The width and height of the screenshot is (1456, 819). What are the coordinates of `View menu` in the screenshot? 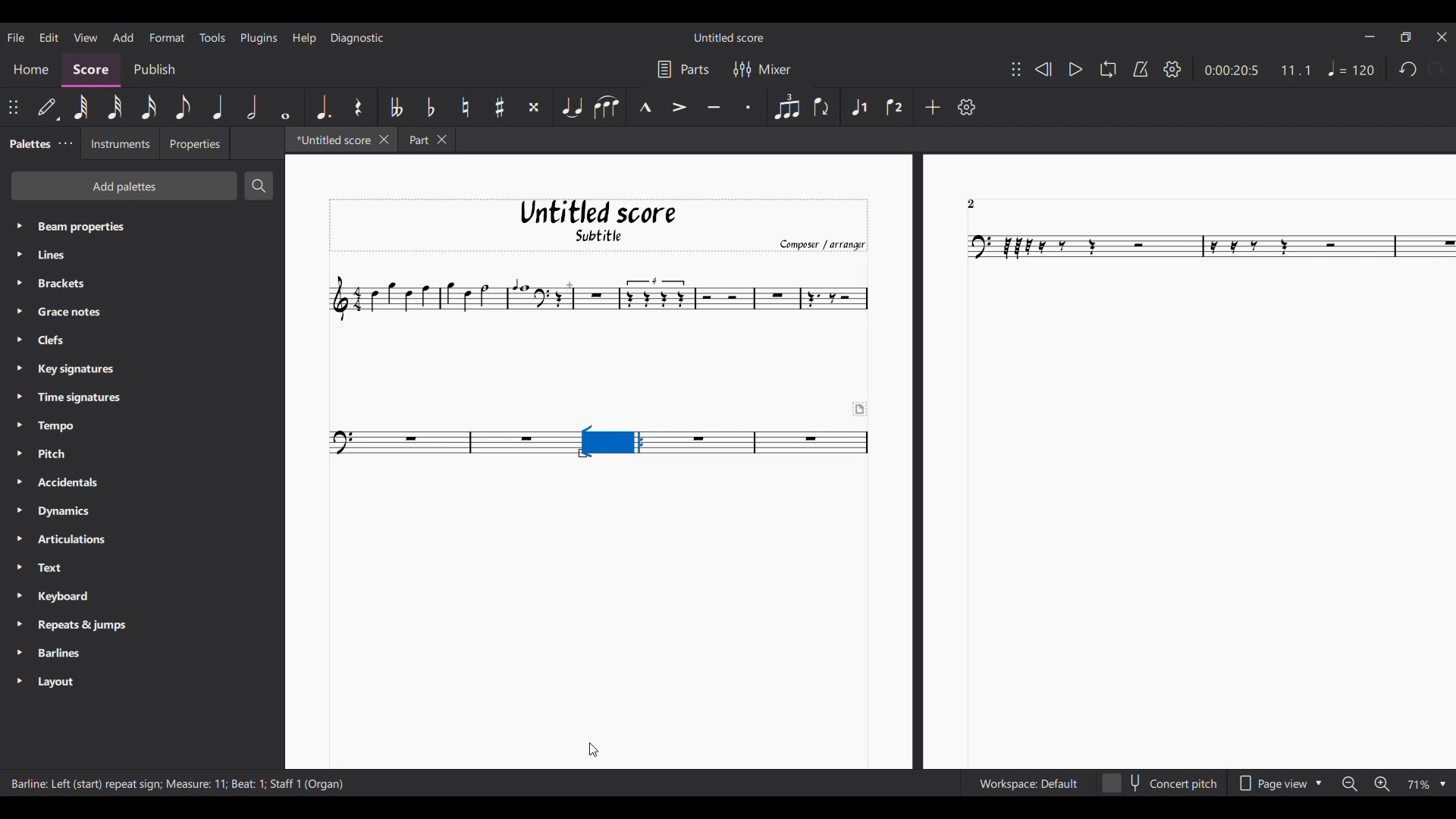 It's located at (86, 38).